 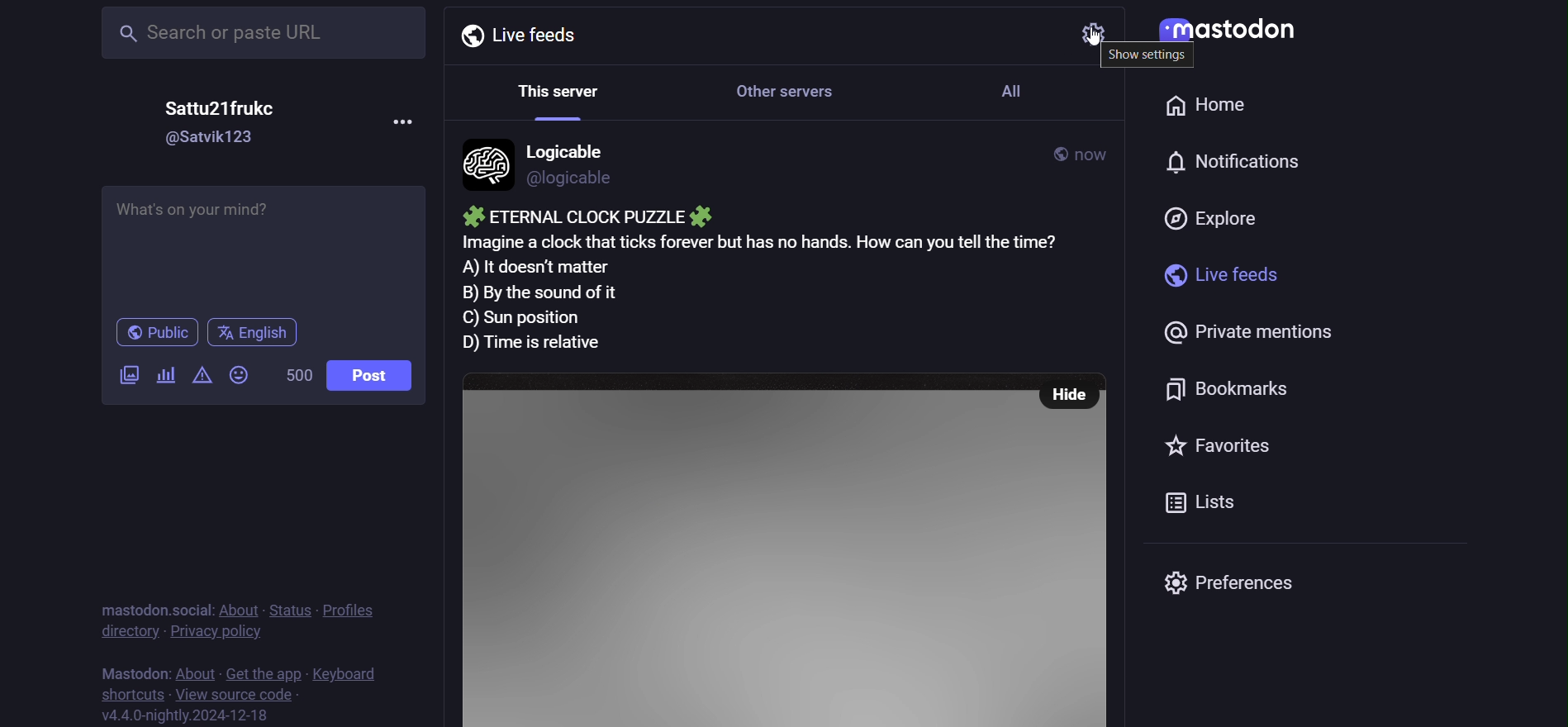 I want to click on version, so click(x=186, y=715).